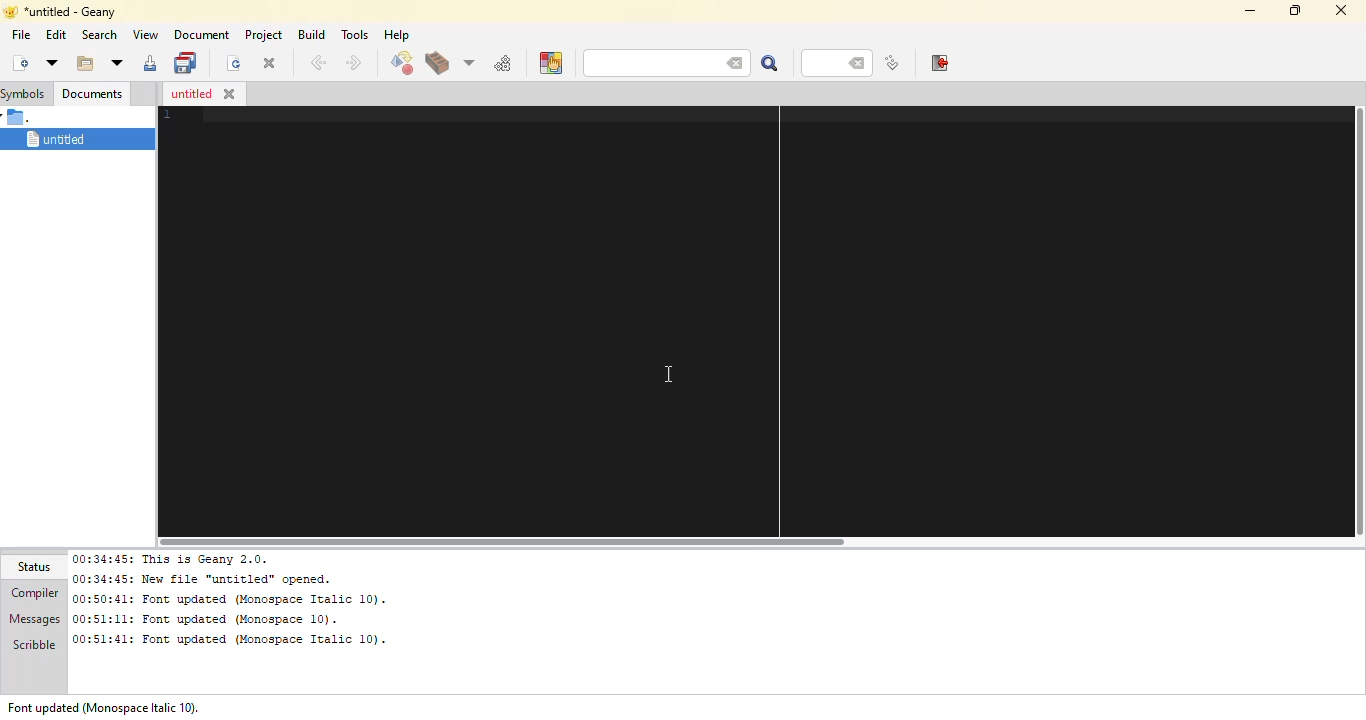 Image resolution: width=1366 pixels, height=720 pixels. I want to click on minimize, so click(1247, 10).